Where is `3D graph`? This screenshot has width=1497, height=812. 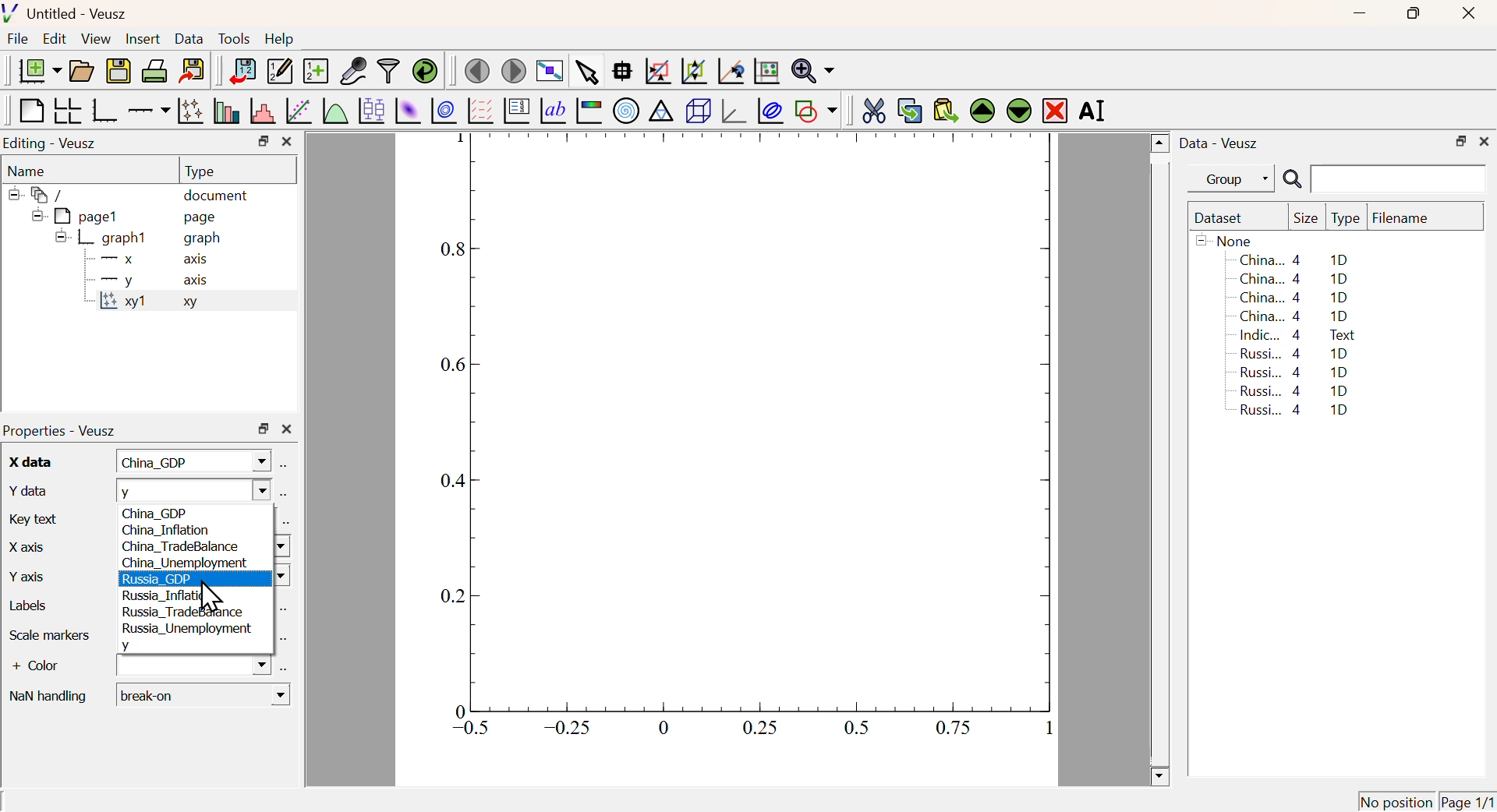
3D graph is located at coordinates (735, 112).